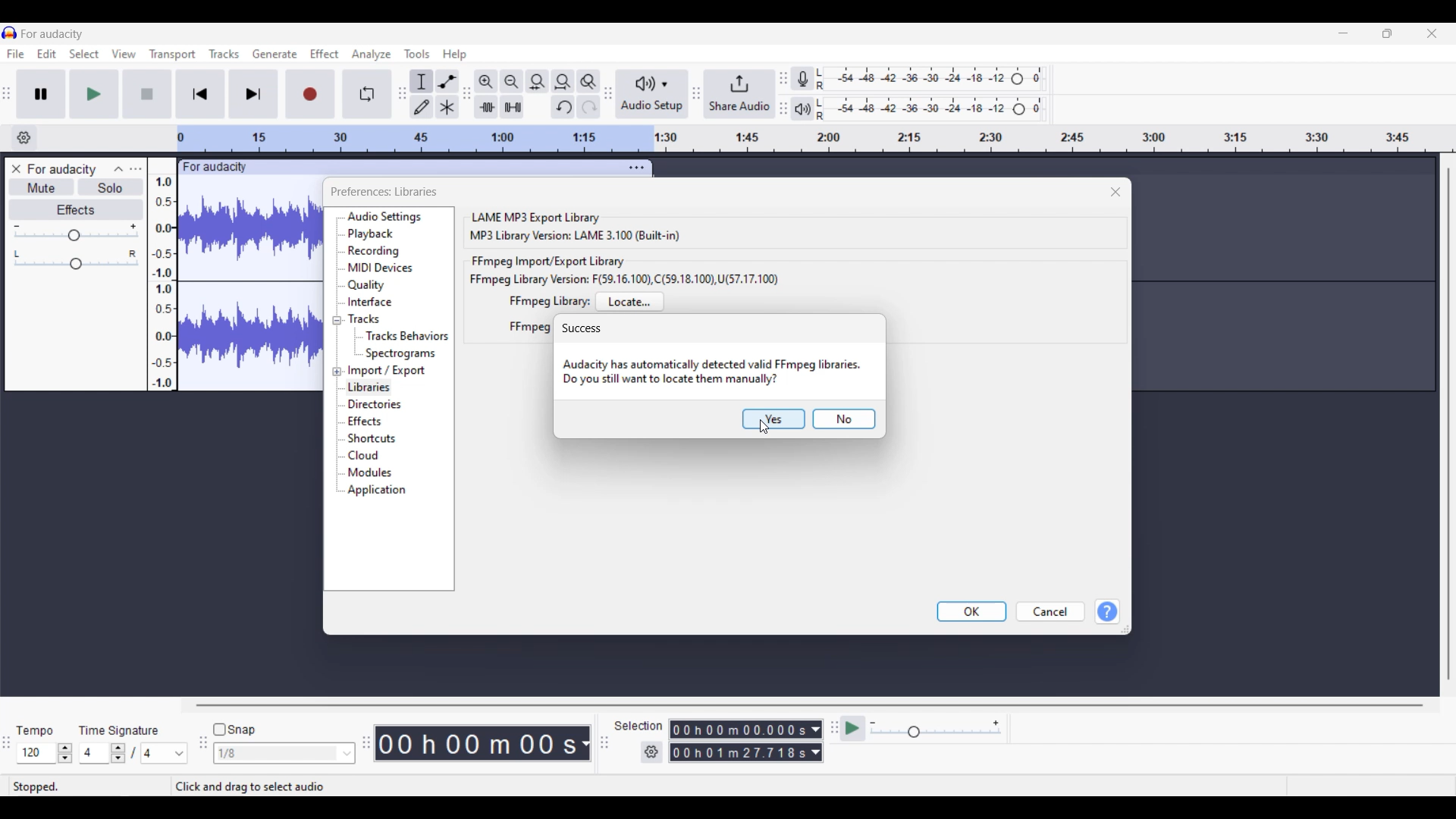 The height and width of the screenshot is (819, 1456). What do you see at coordinates (1125, 629) in the screenshot?
I see `Change dimension of box` at bounding box center [1125, 629].